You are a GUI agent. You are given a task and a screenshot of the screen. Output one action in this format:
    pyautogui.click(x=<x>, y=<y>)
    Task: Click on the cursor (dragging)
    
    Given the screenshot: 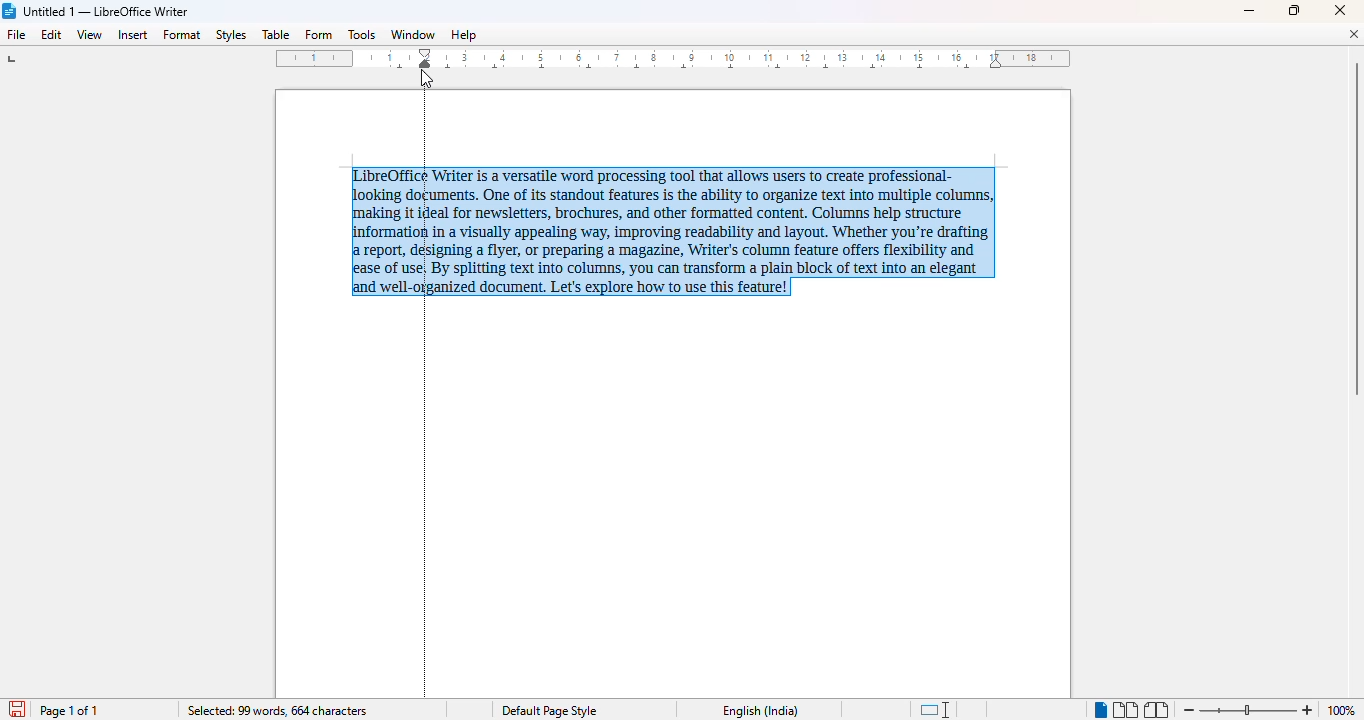 What is the action you would take?
    pyautogui.click(x=424, y=78)
    